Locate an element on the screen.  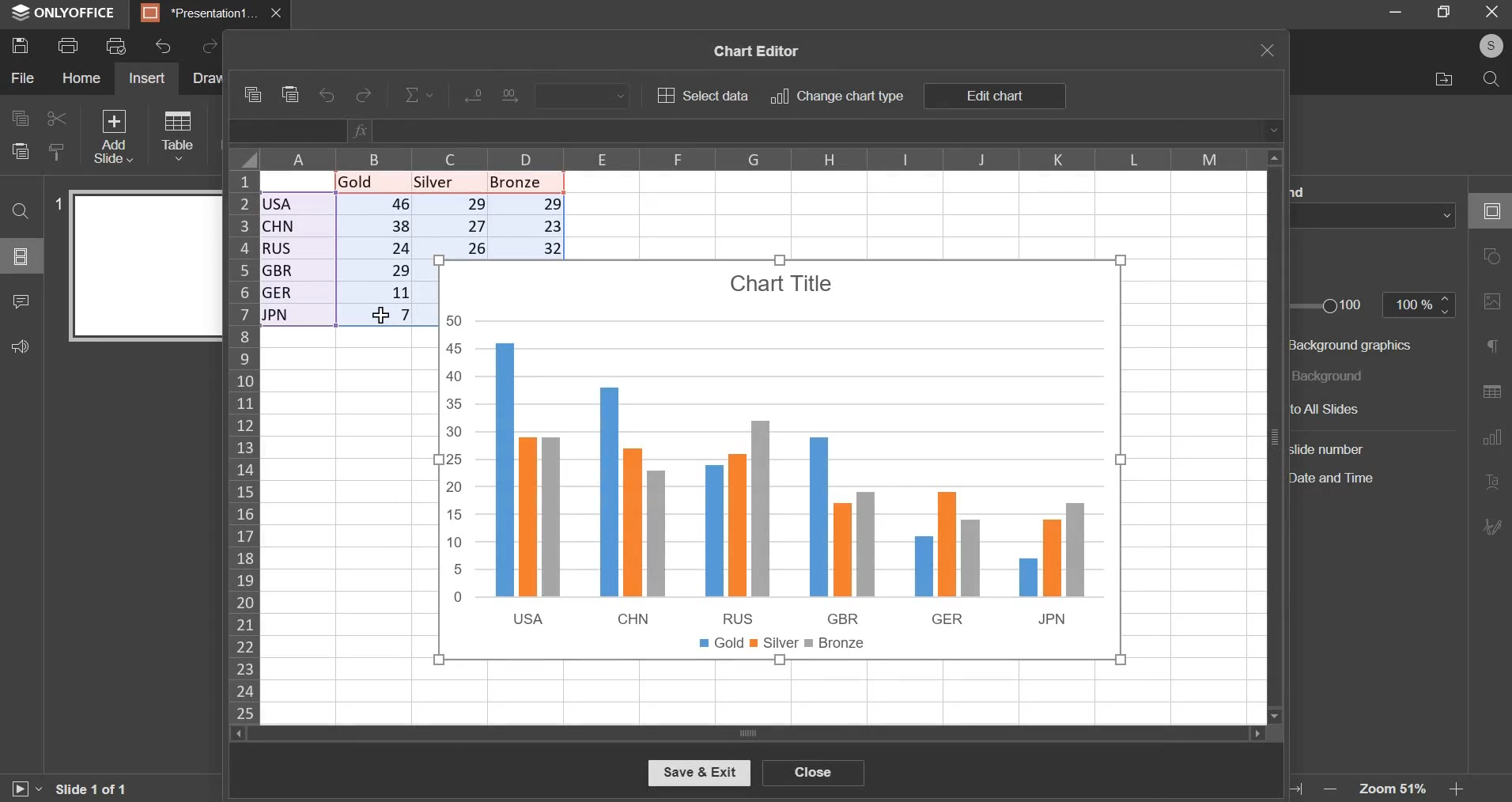
29 is located at coordinates (530, 203).